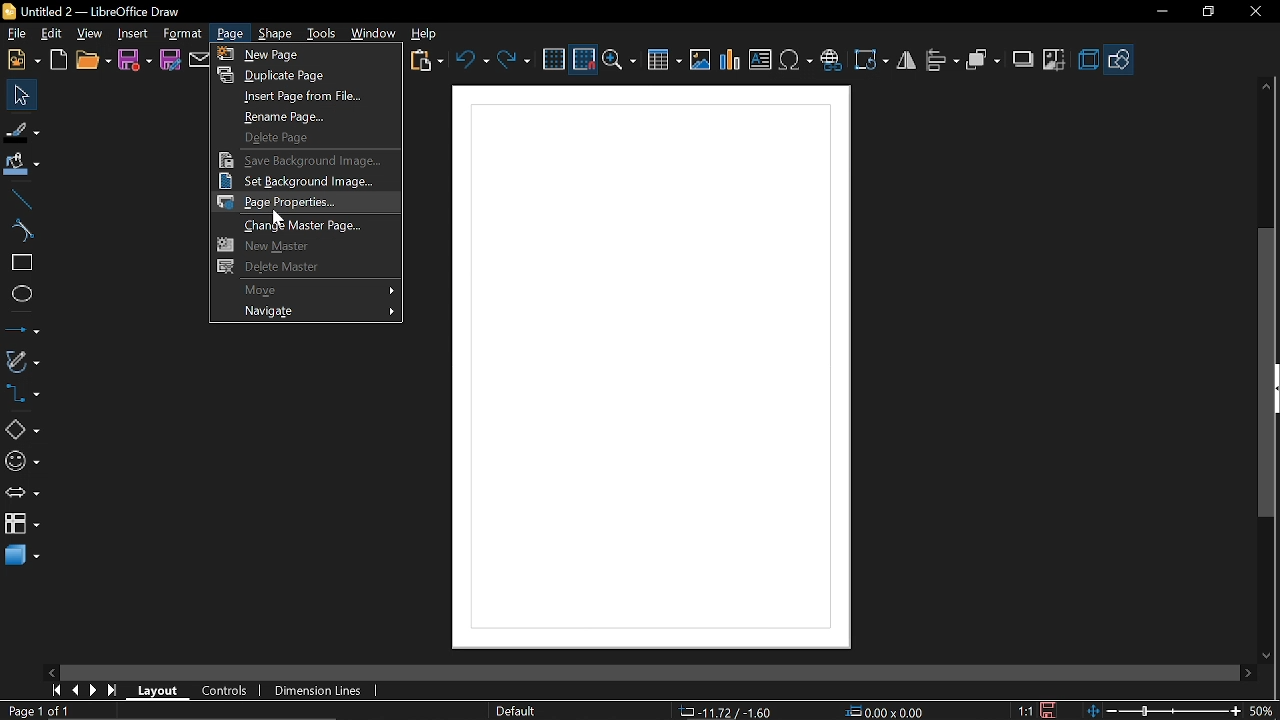 Image resolution: width=1280 pixels, height=720 pixels. What do you see at coordinates (662, 61) in the screenshot?
I see `Insert table` at bounding box center [662, 61].